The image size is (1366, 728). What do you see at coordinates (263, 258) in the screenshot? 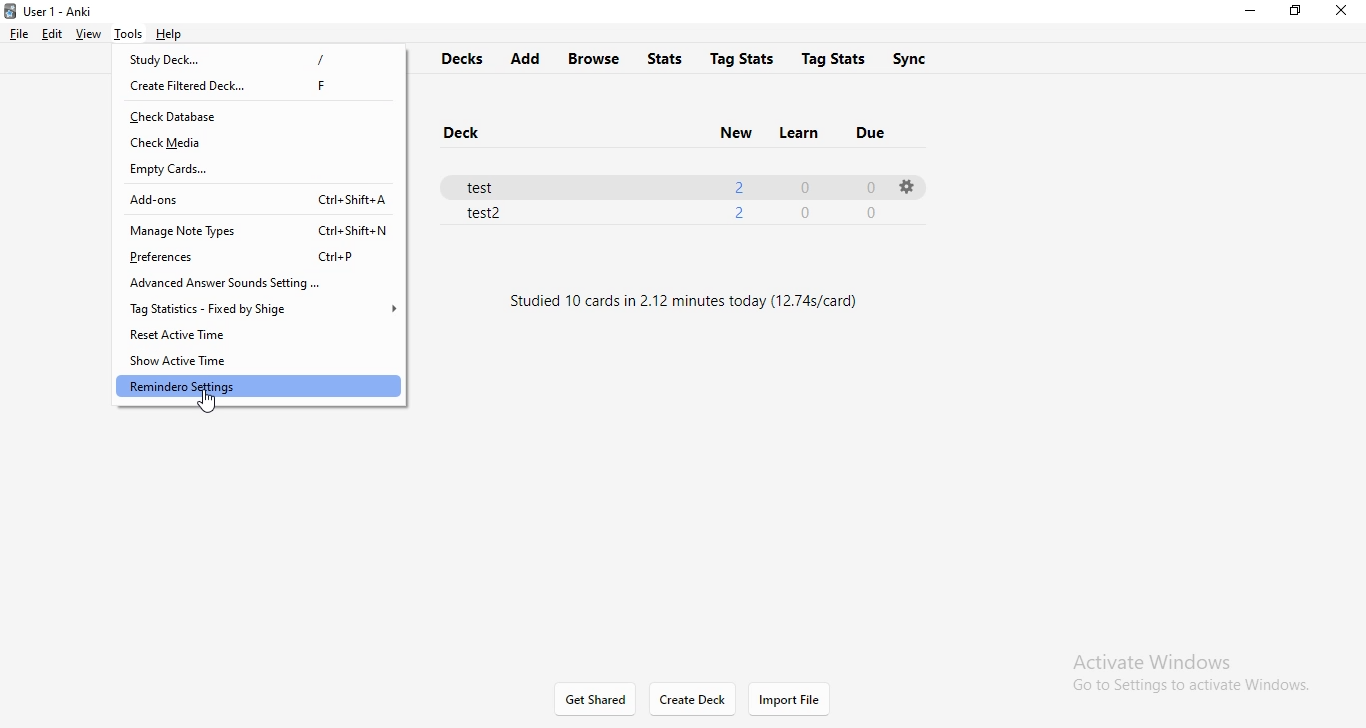
I see `preference` at bounding box center [263, 258].